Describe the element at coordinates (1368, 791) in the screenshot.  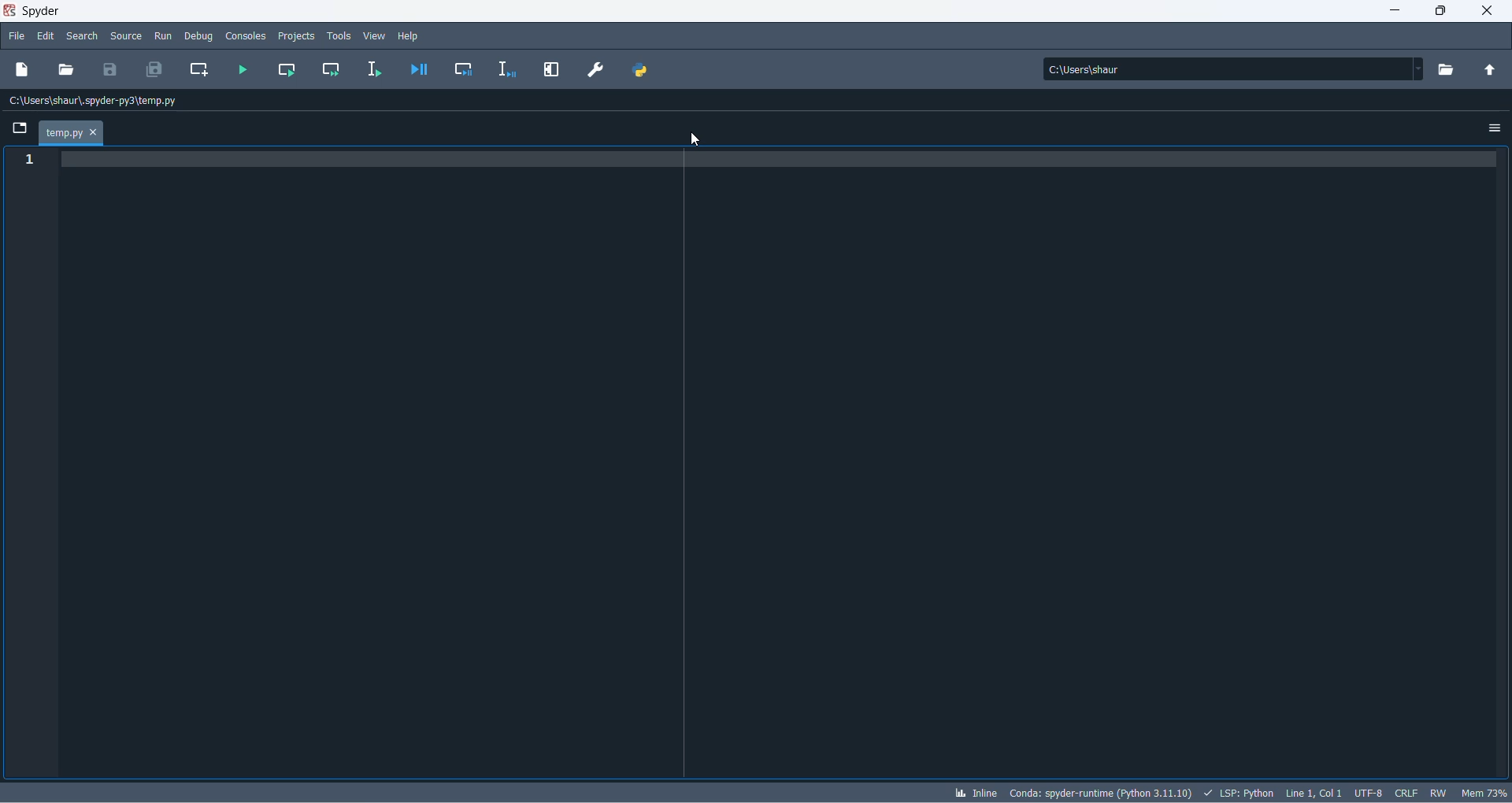
I see `chatset` at that location.